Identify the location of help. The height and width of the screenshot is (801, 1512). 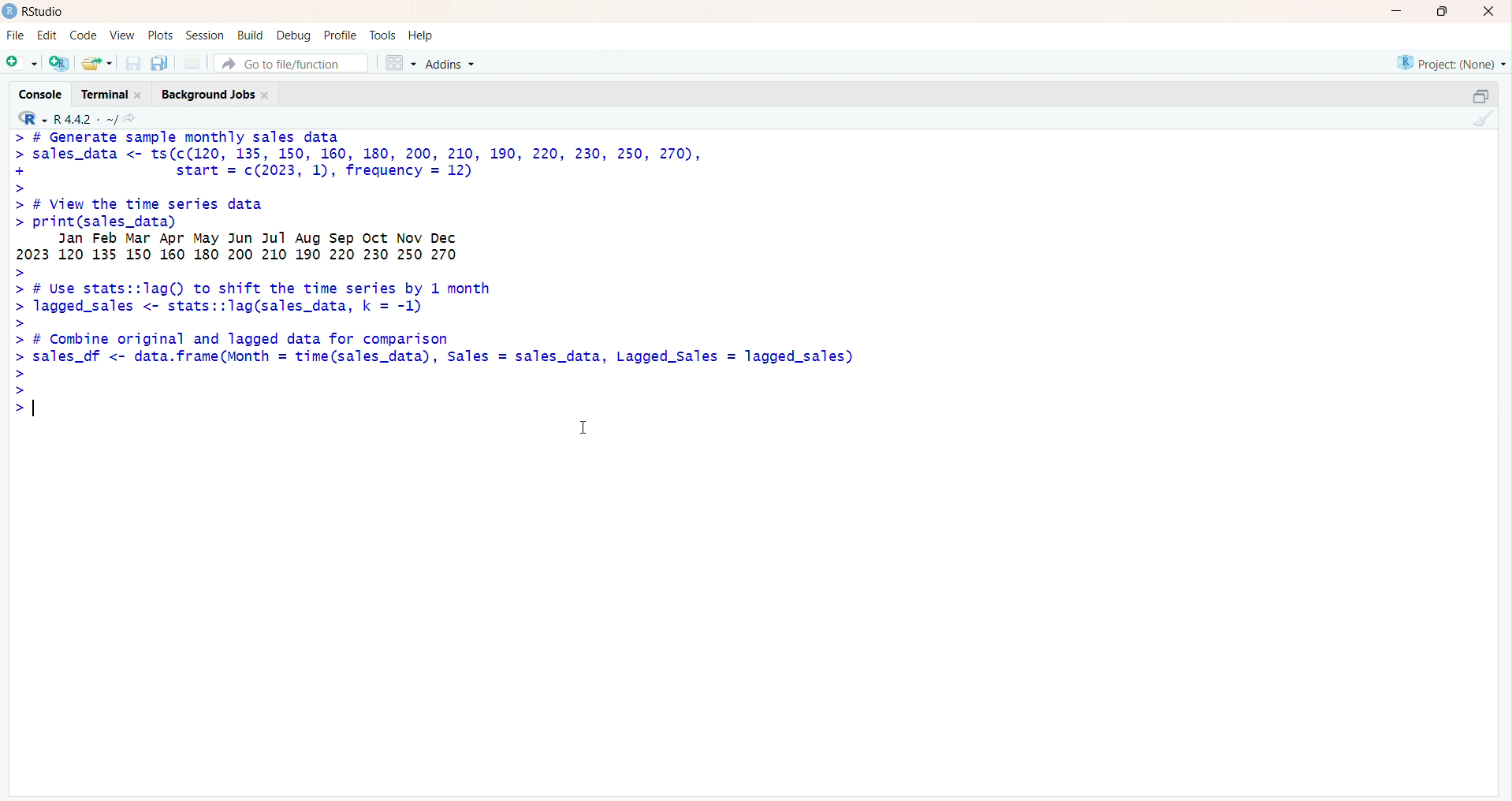
(423, 35).